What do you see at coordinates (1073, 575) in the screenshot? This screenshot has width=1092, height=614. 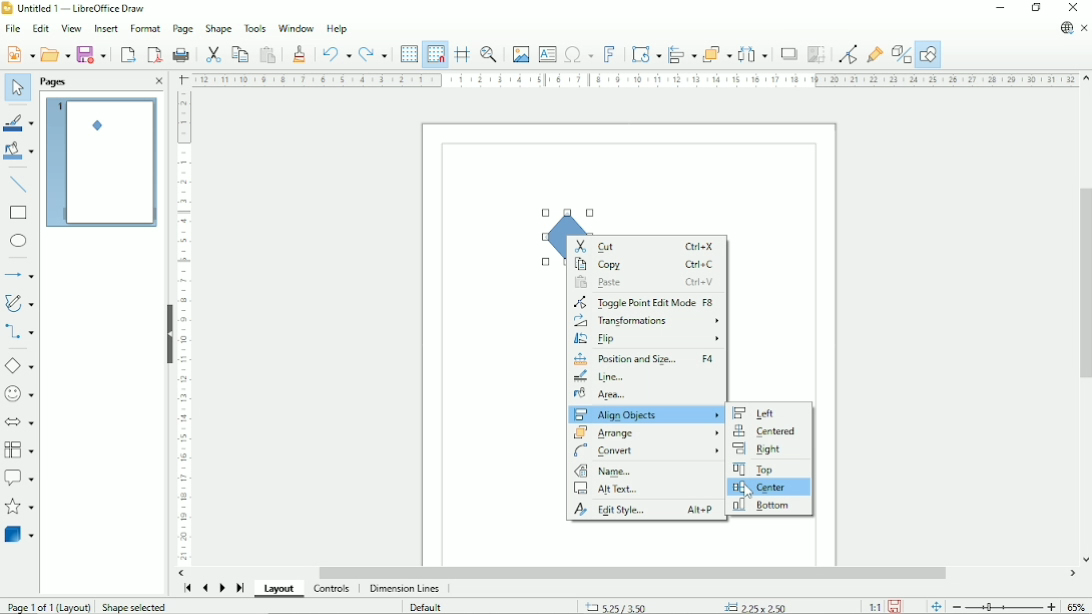 I see `Horizontal scroll button` at bounding box center [1073, 575].